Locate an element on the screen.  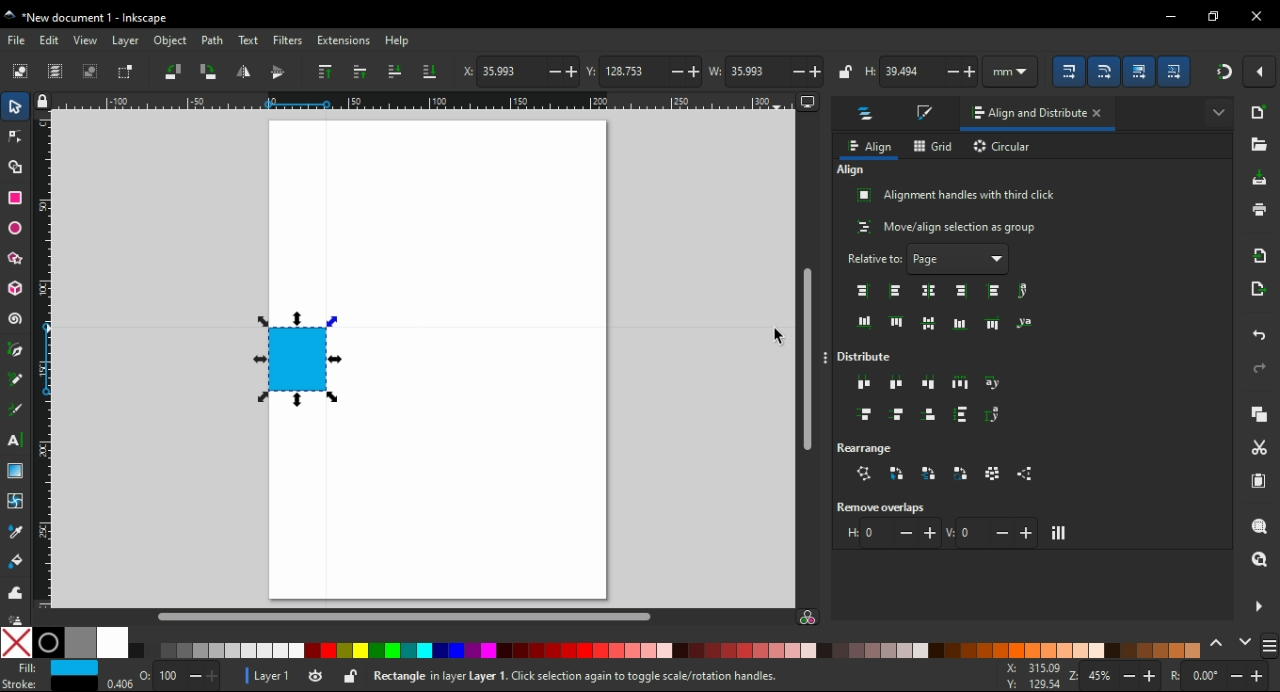
object is located at coordinates (172, 43).